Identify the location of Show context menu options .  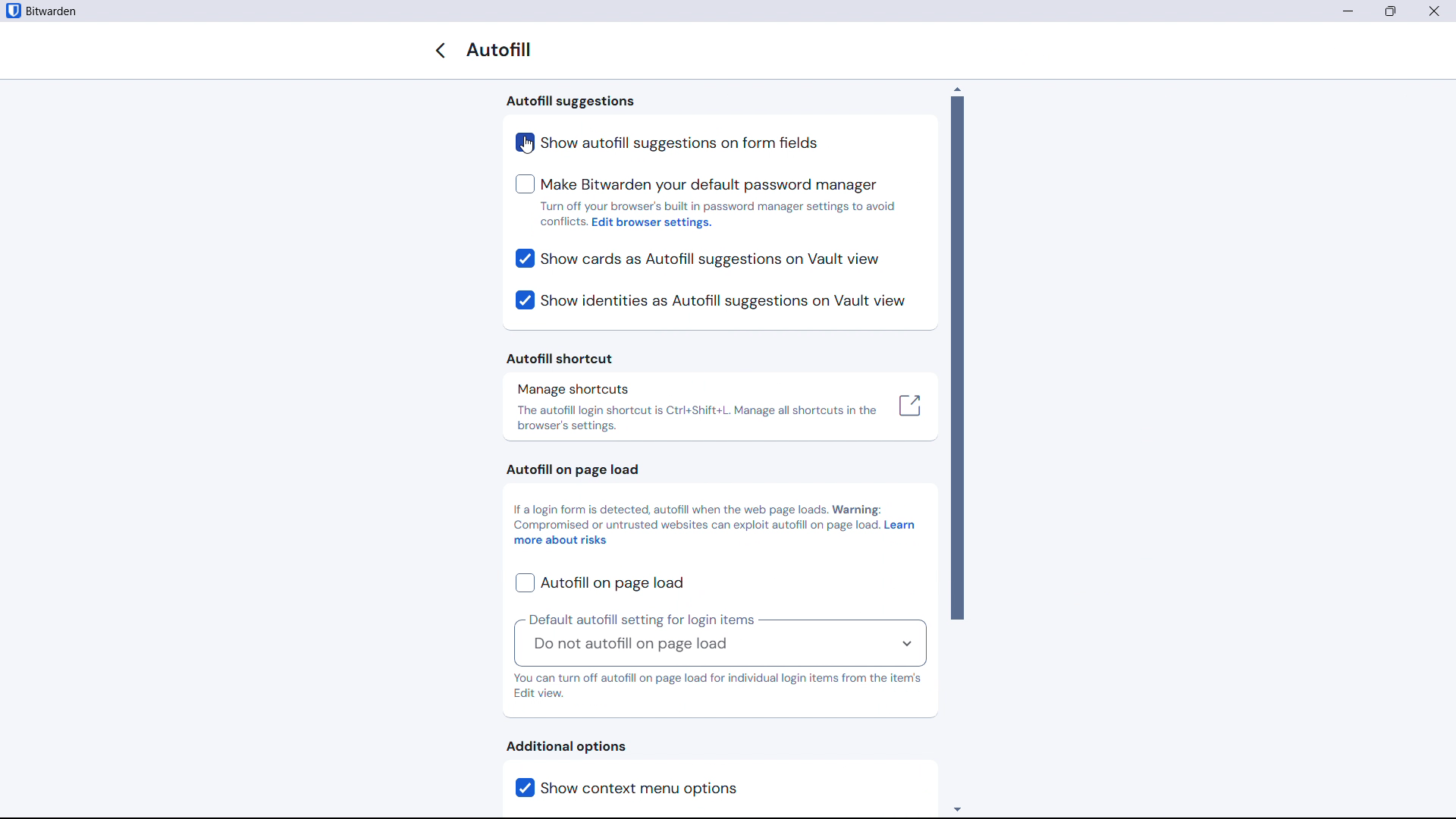
(663, 788).